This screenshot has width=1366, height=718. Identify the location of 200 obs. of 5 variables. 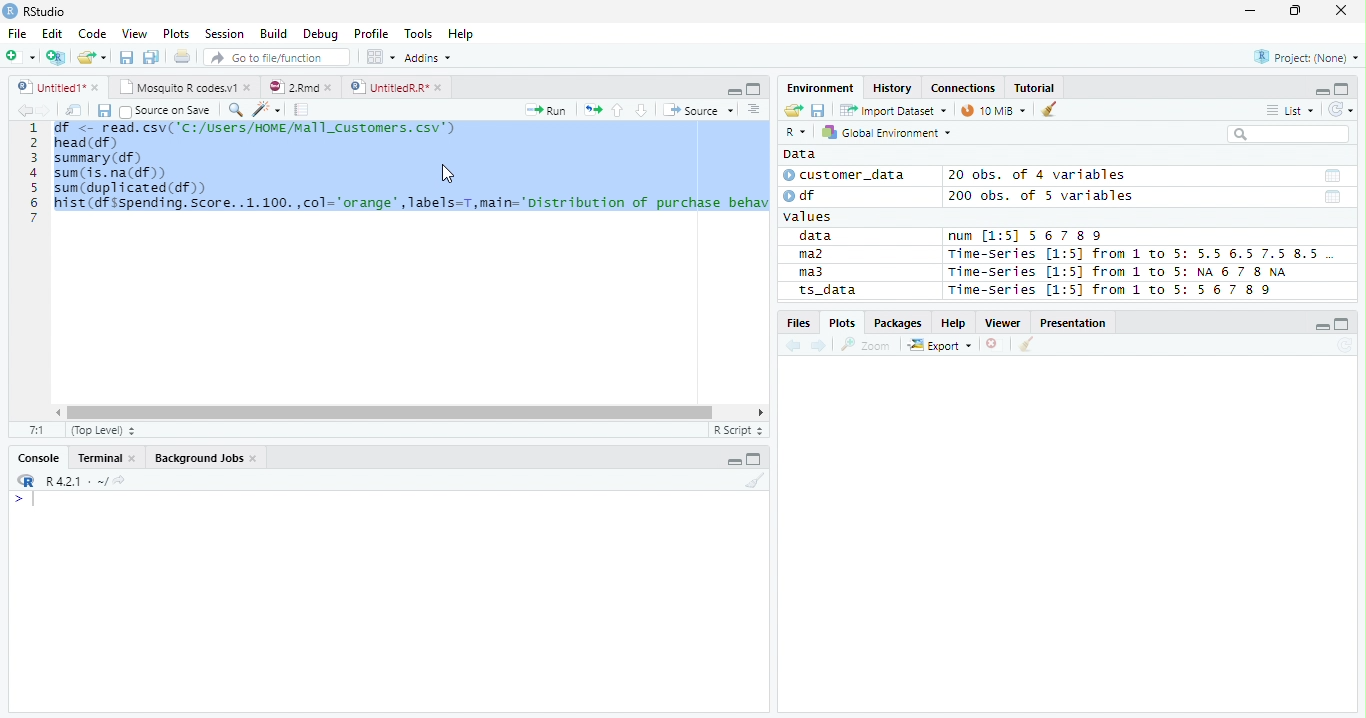
(1038, 198).